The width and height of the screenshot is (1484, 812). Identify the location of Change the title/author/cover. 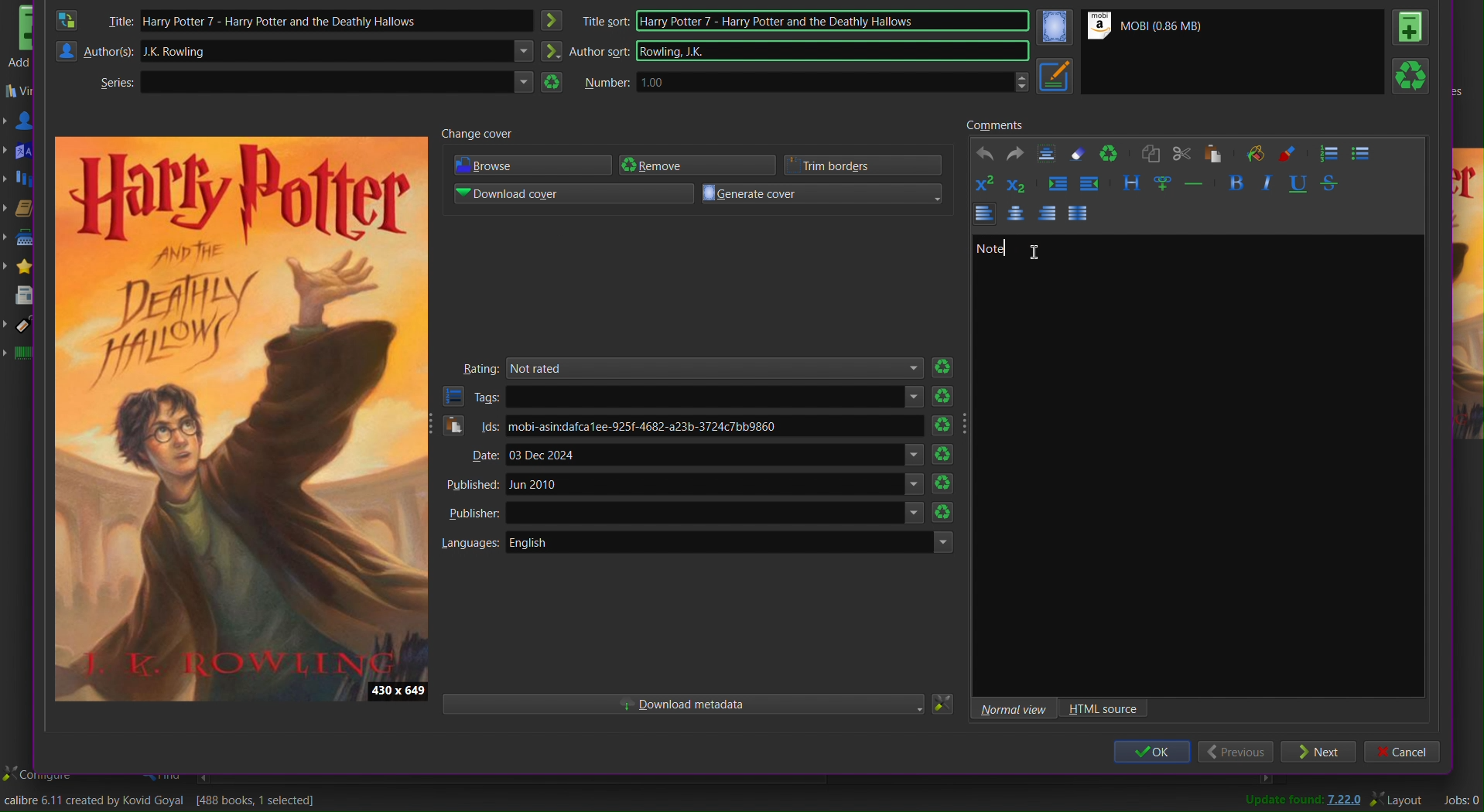
(168, 800).